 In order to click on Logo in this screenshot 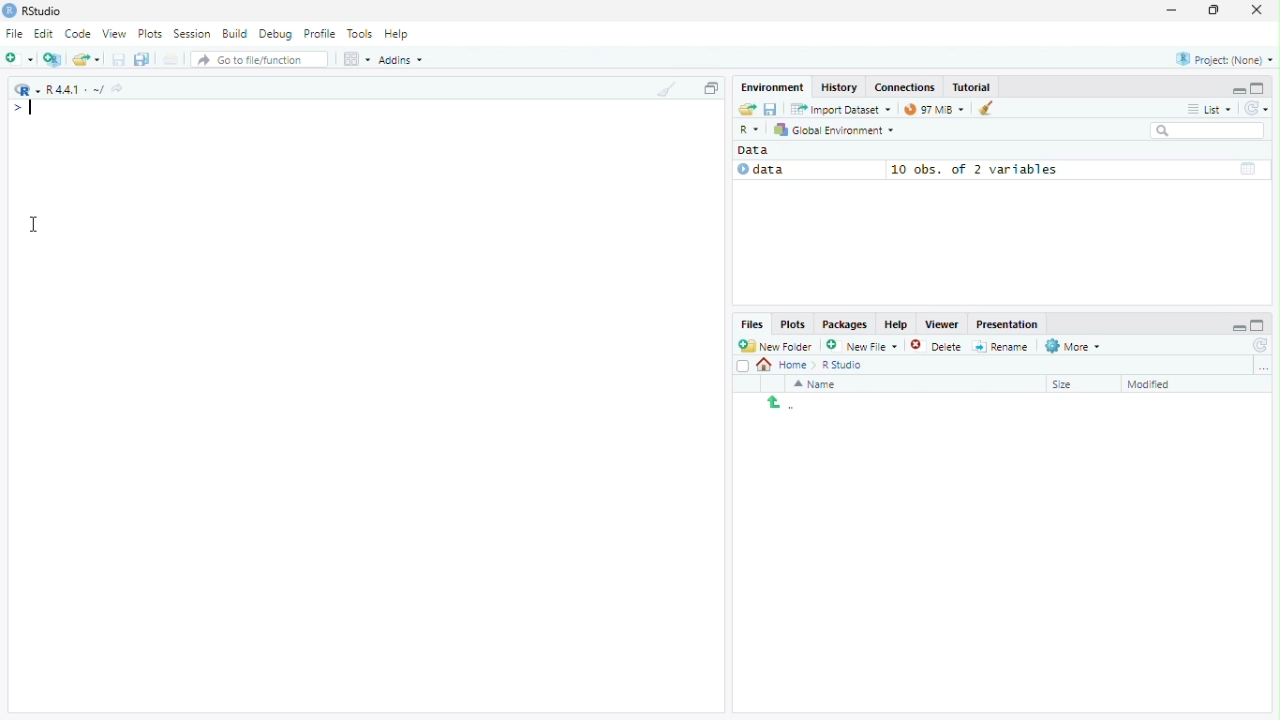, I will do `click(9, 11)`.